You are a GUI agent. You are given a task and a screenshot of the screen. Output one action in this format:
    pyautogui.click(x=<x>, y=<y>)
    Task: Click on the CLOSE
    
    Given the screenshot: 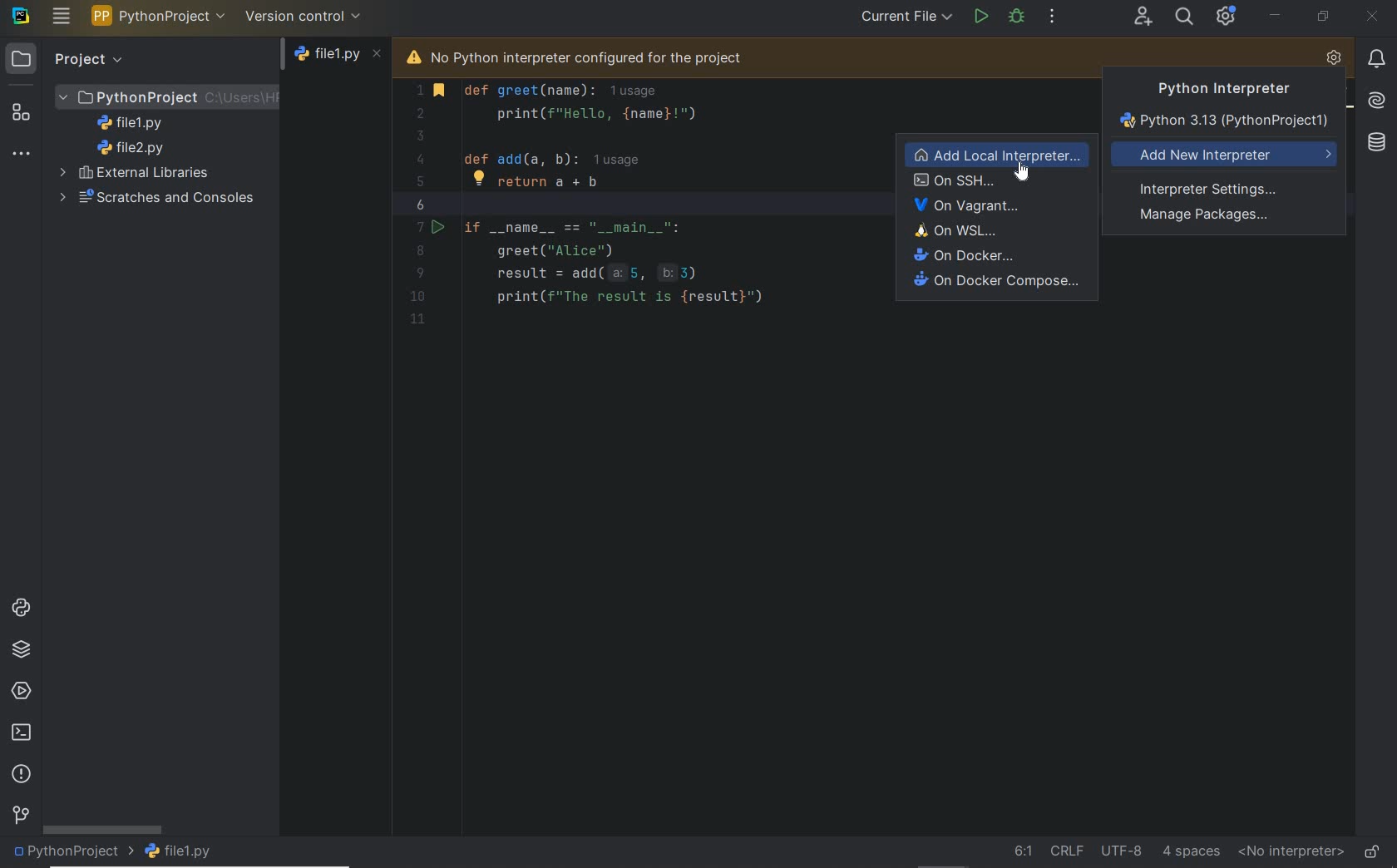 What is the action you would take?
    pyautogui.click(x=1373, y=18)
    